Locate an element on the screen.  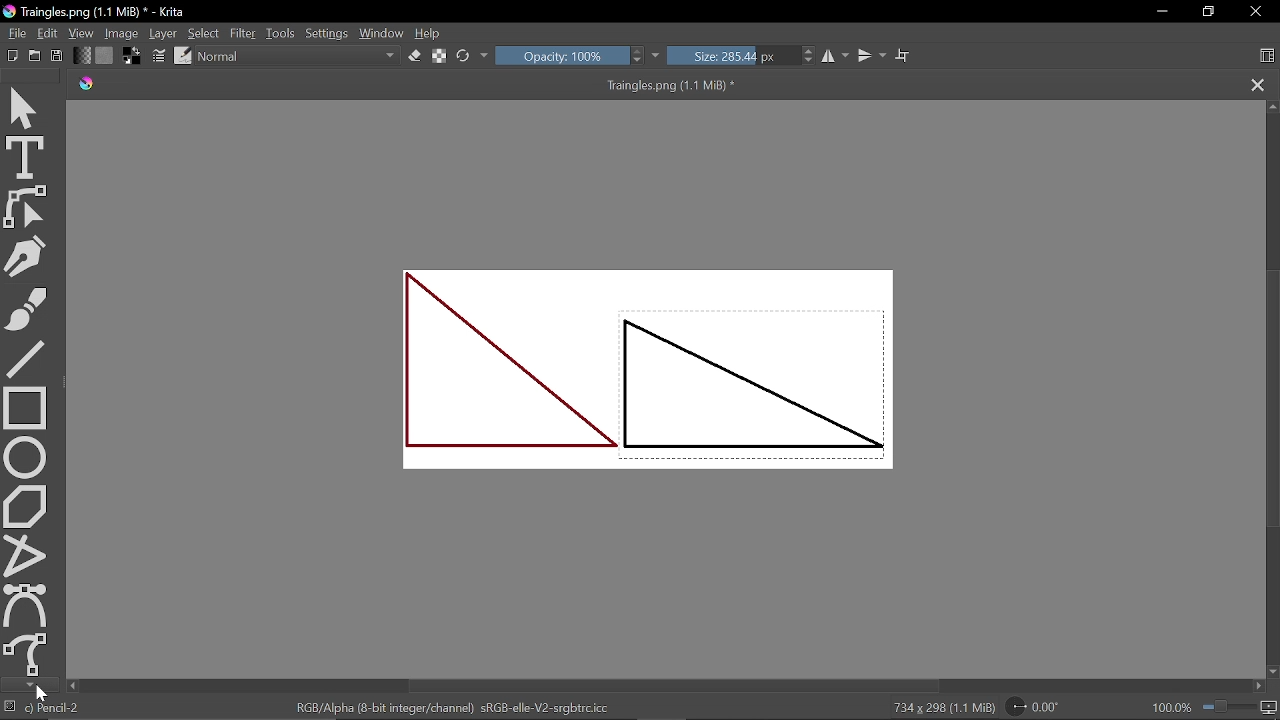
View is located at coordinates (83, 34).